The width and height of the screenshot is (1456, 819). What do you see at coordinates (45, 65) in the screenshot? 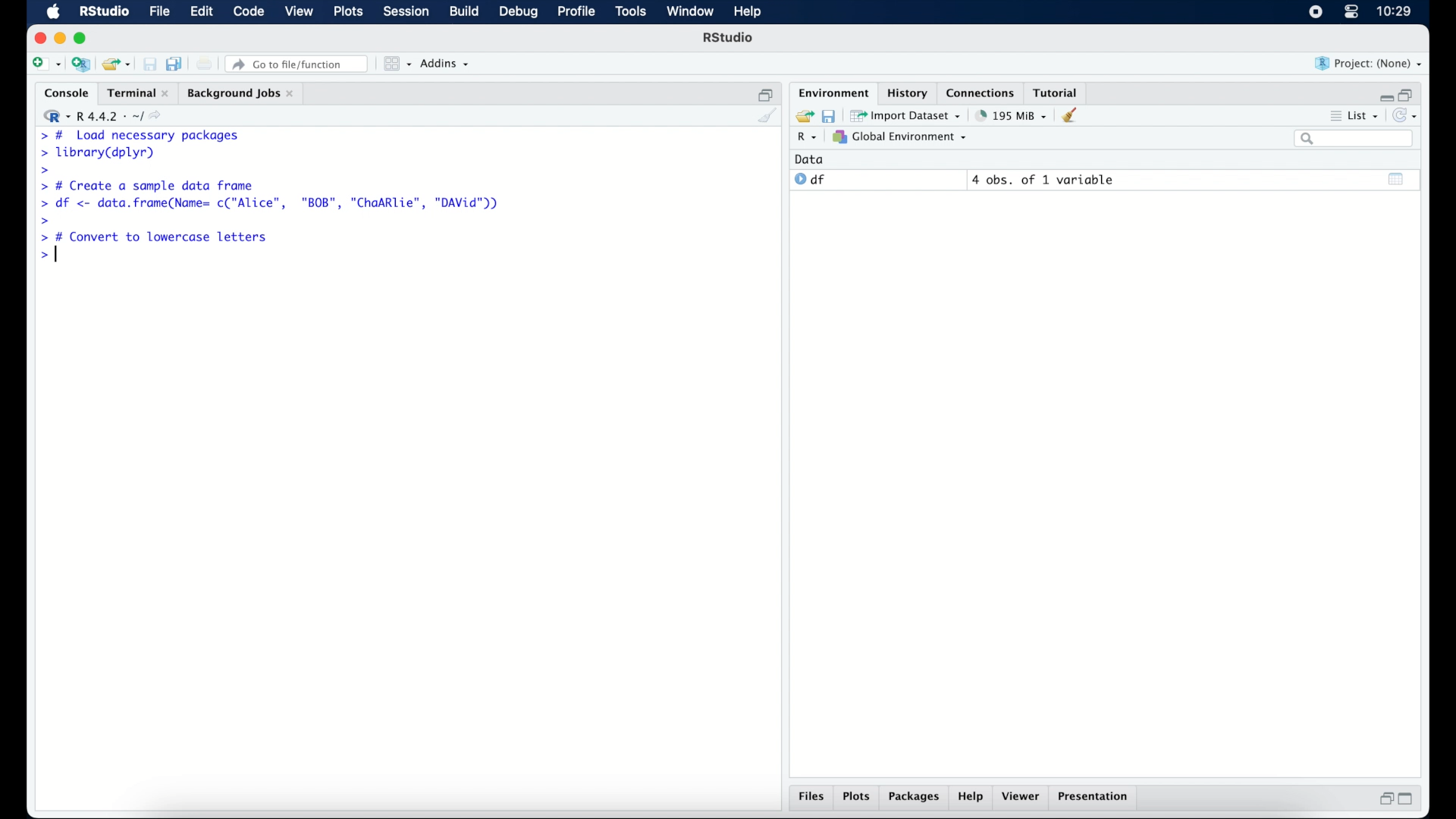
I see `create new file` at bounding box center [45, 65].